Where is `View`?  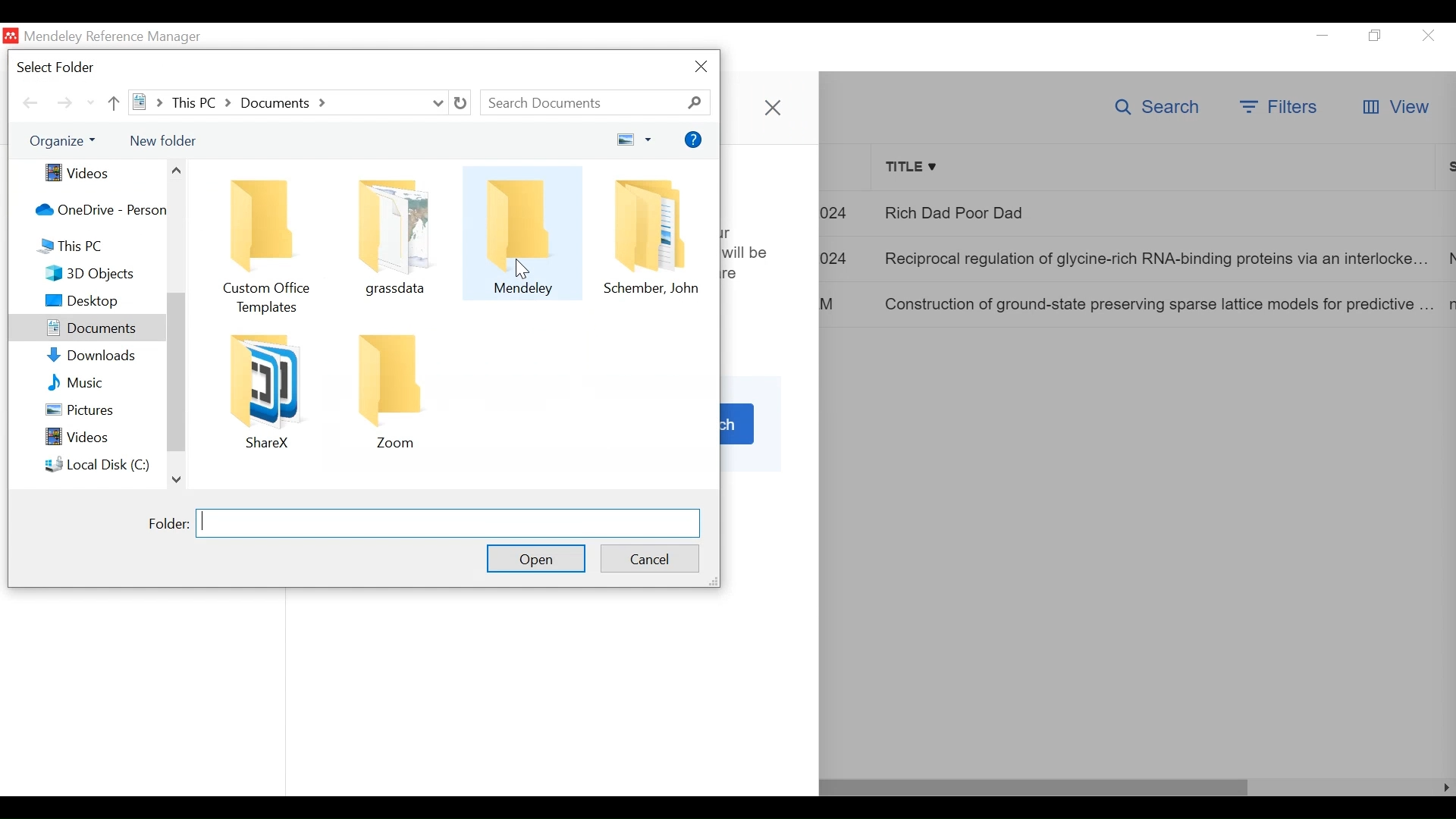
View is located at coordinates (1395, 108).